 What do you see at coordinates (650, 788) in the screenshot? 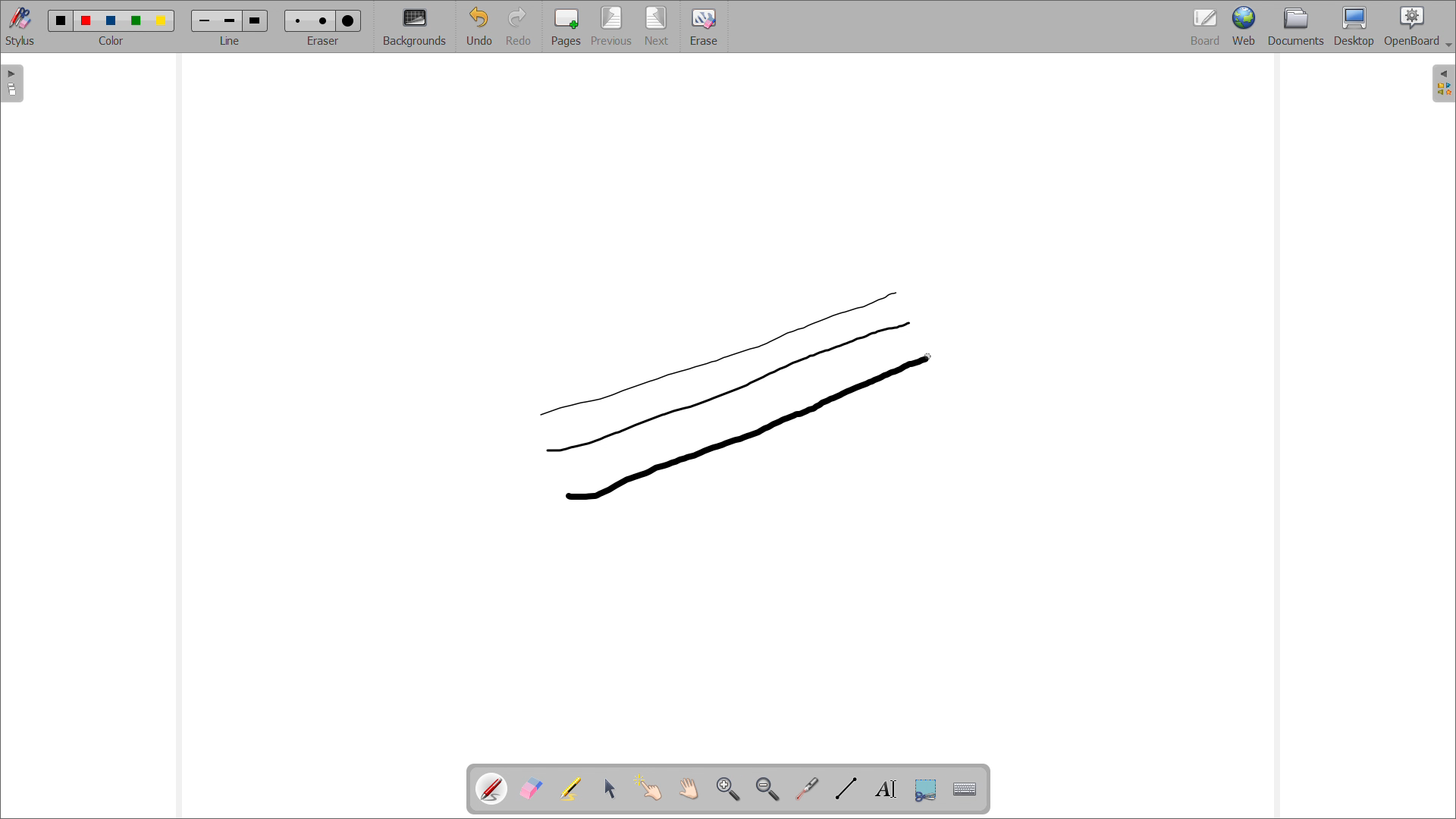
I see `interact with items` at bounding box center [650, 788].